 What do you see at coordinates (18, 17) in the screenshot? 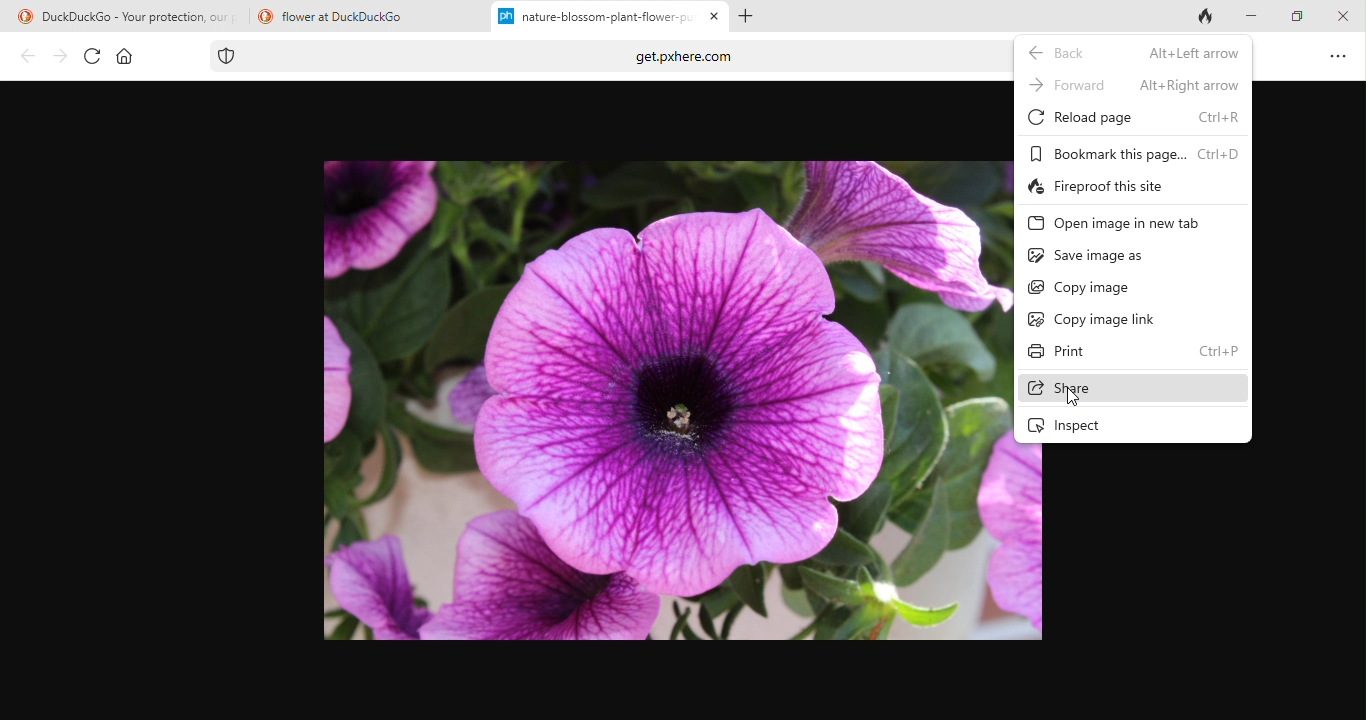
I see `duckduck go logo` at bounding box center [18, 17].